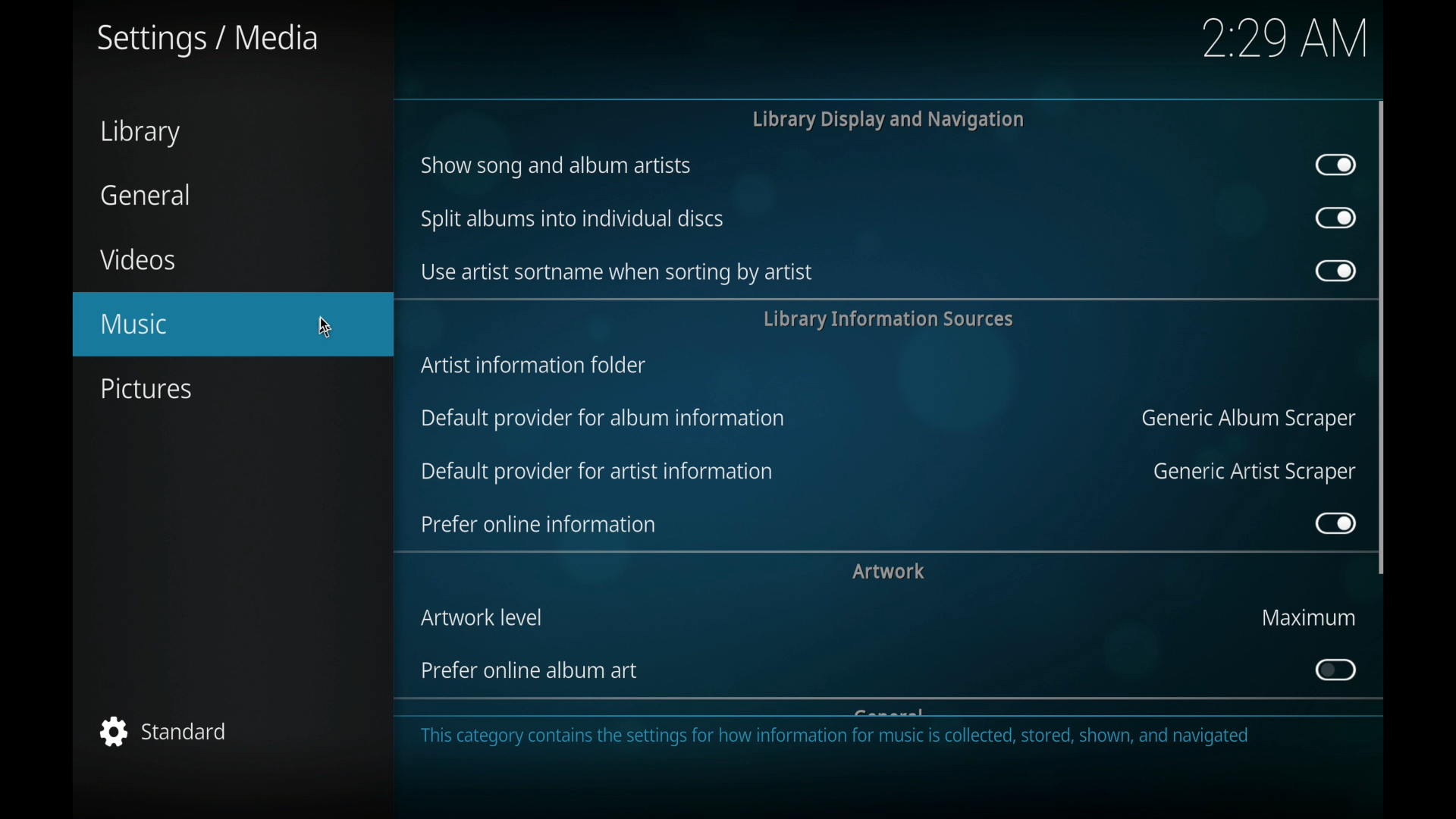 The image size is (1456, 819). I want to click on toggle button, so click(1335, 165).